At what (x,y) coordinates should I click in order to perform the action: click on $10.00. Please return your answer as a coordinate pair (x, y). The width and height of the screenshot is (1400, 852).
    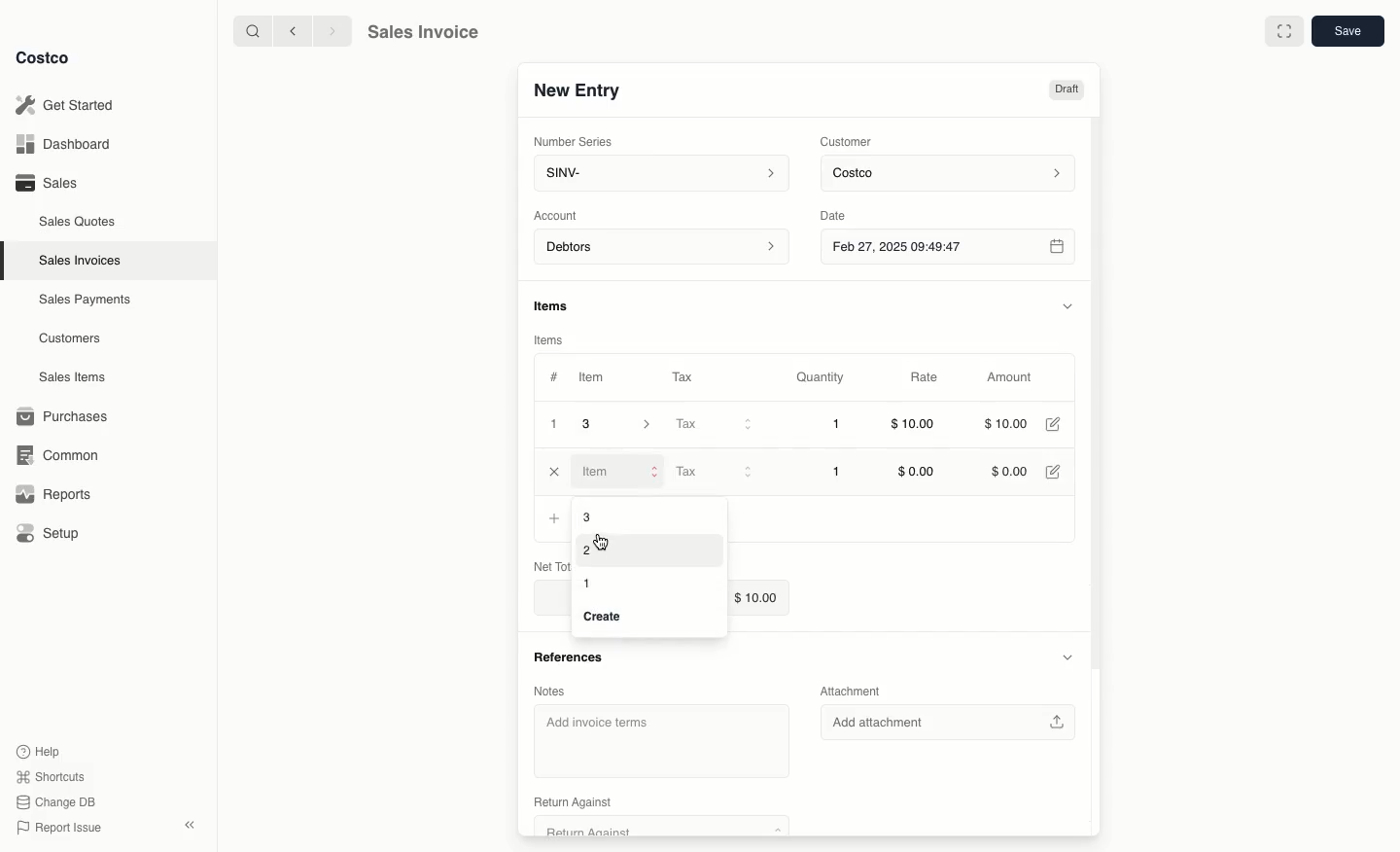
    Looking at the image, I should click on (1010, 423).